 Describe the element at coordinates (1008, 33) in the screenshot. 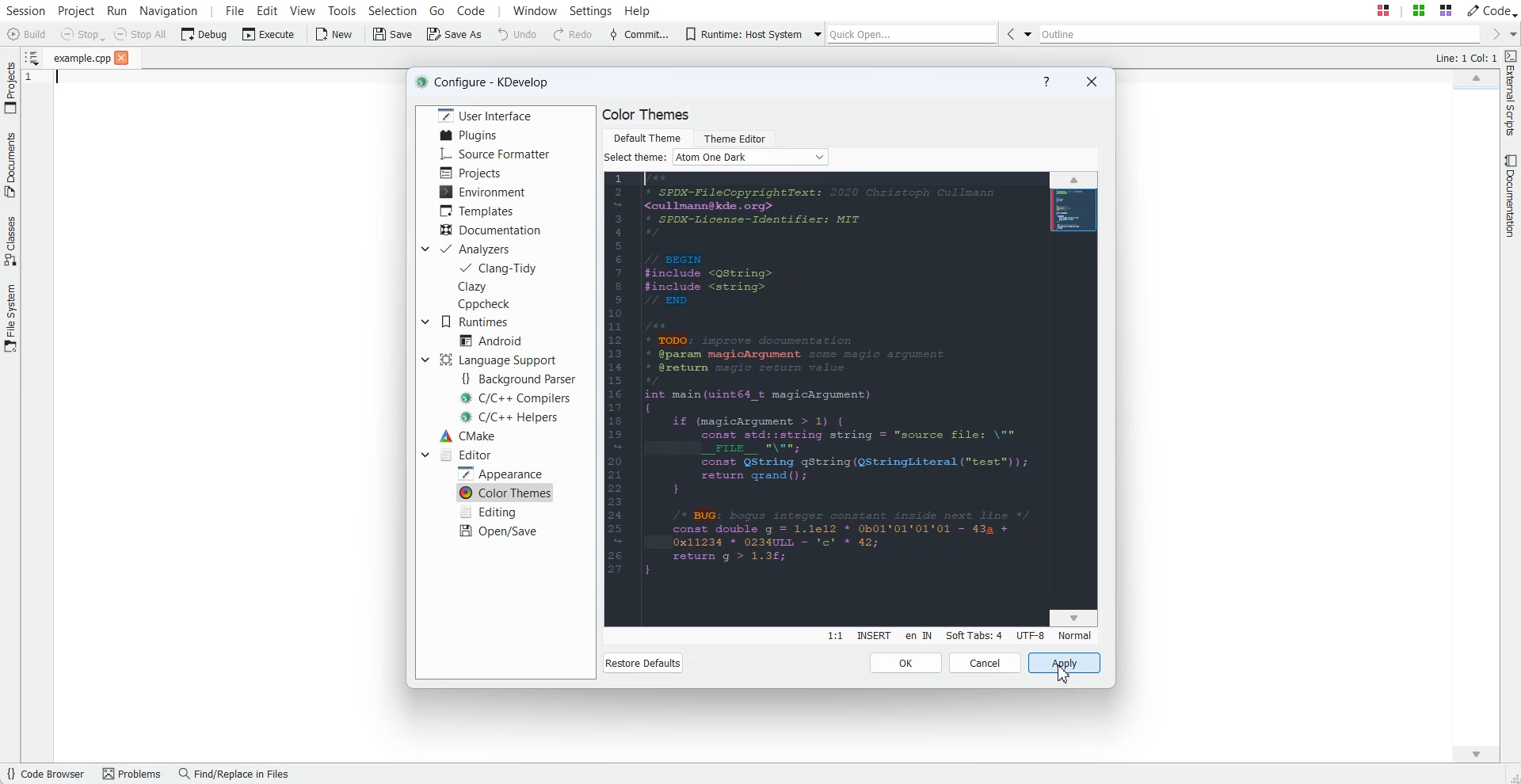

I see `Go Back` at that location.